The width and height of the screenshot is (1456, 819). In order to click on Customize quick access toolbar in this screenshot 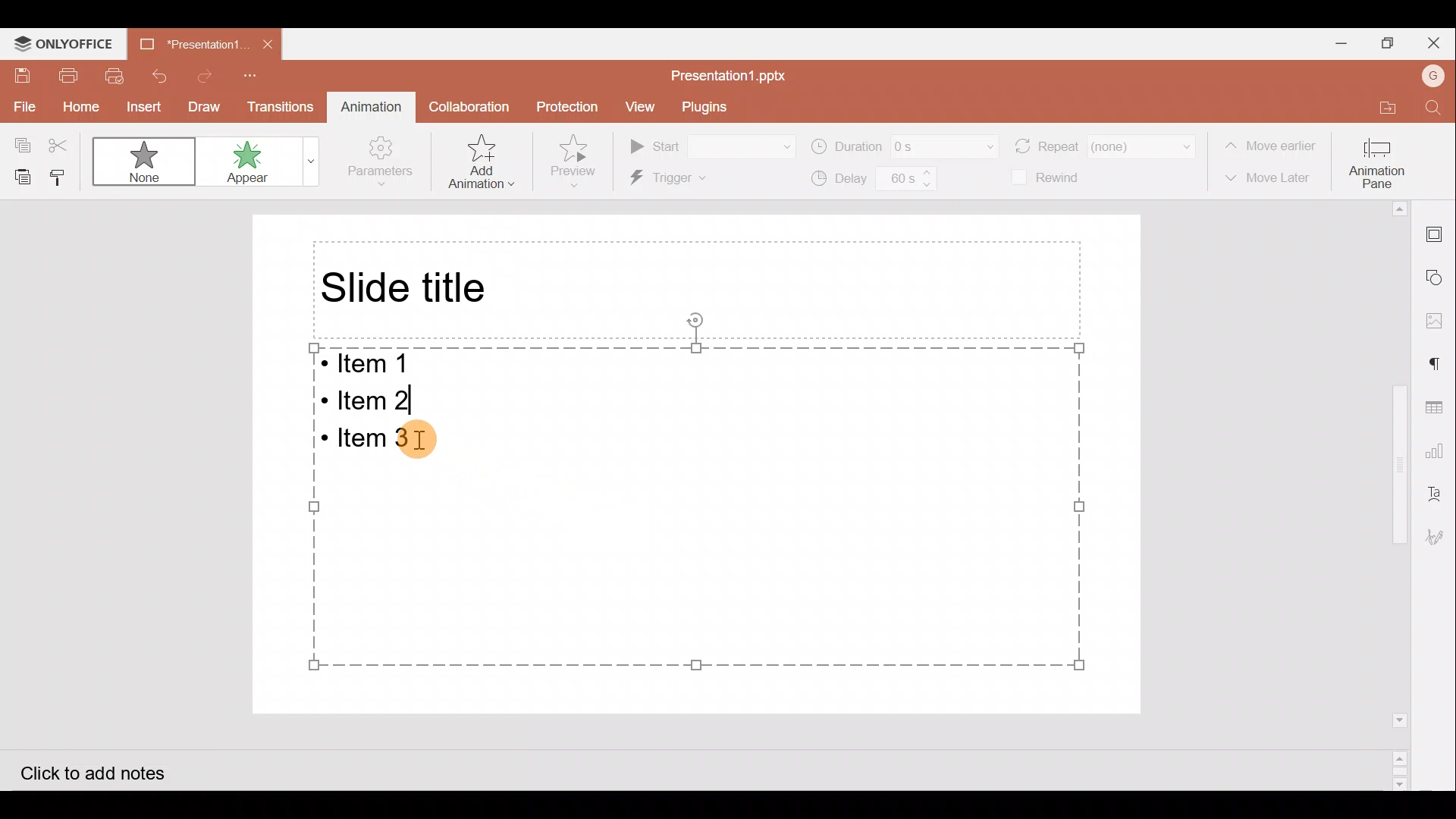, I will do `click(259, 74)`.